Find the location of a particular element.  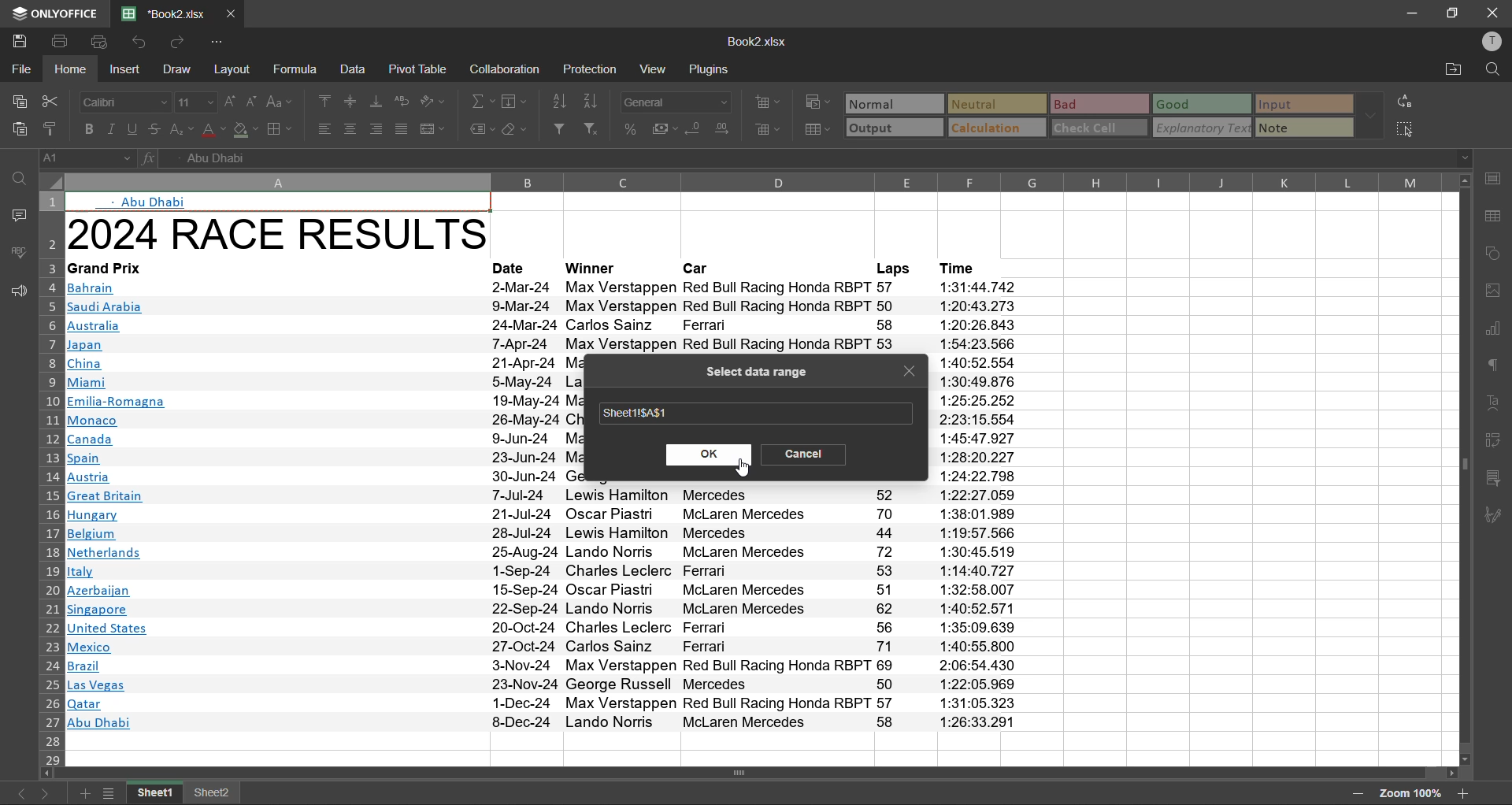

replace is located at coordinates (1407, 99).